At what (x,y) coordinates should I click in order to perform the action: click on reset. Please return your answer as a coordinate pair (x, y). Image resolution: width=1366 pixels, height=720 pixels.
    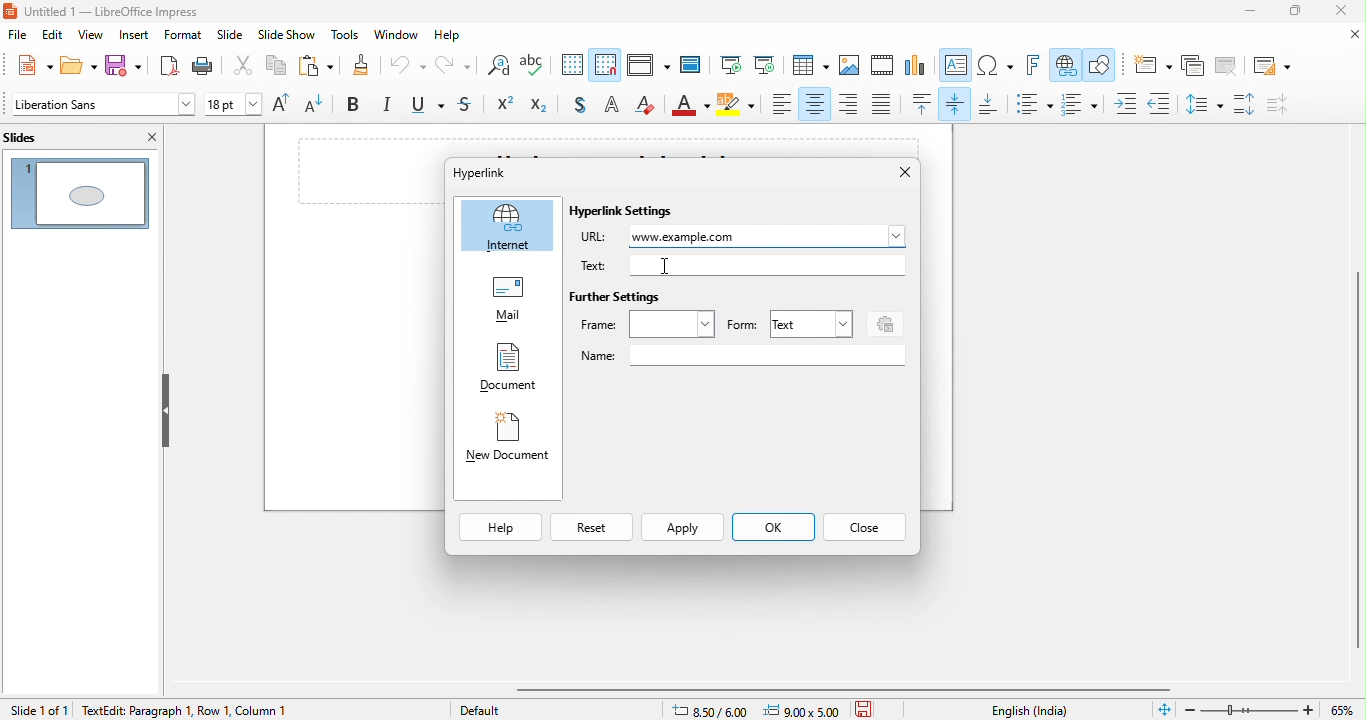
    Looking at the image, I should click on (590, 529).